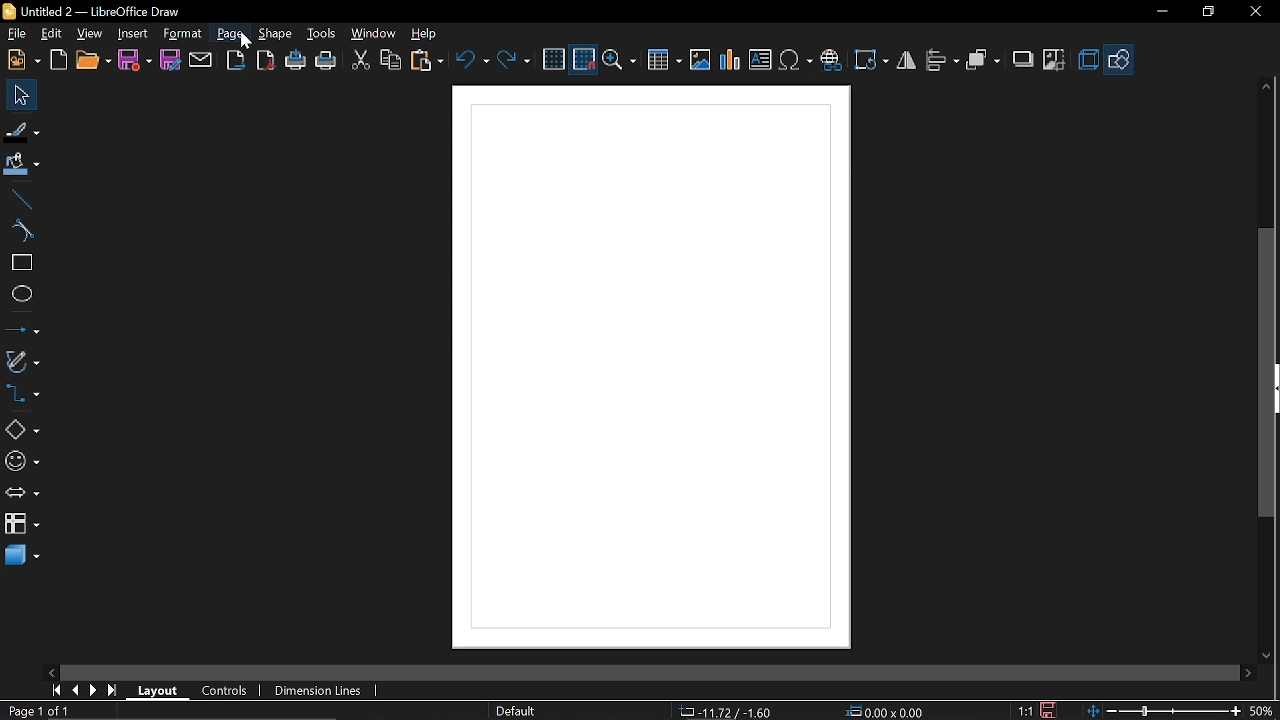 The image size is (1280, 720). What do you see at coordinates (1160, 14) in the screenshot?
I see `Miniimize` at bounding box center [1160, 14].